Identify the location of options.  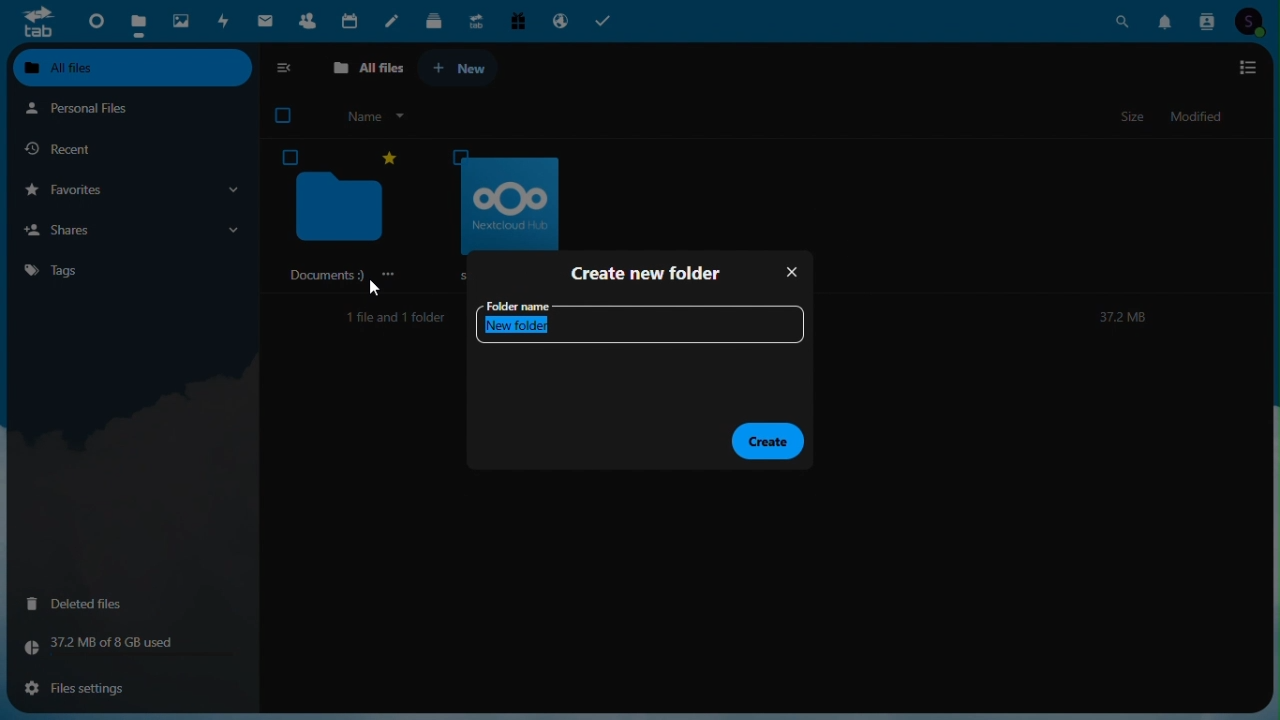
(1241, 72).